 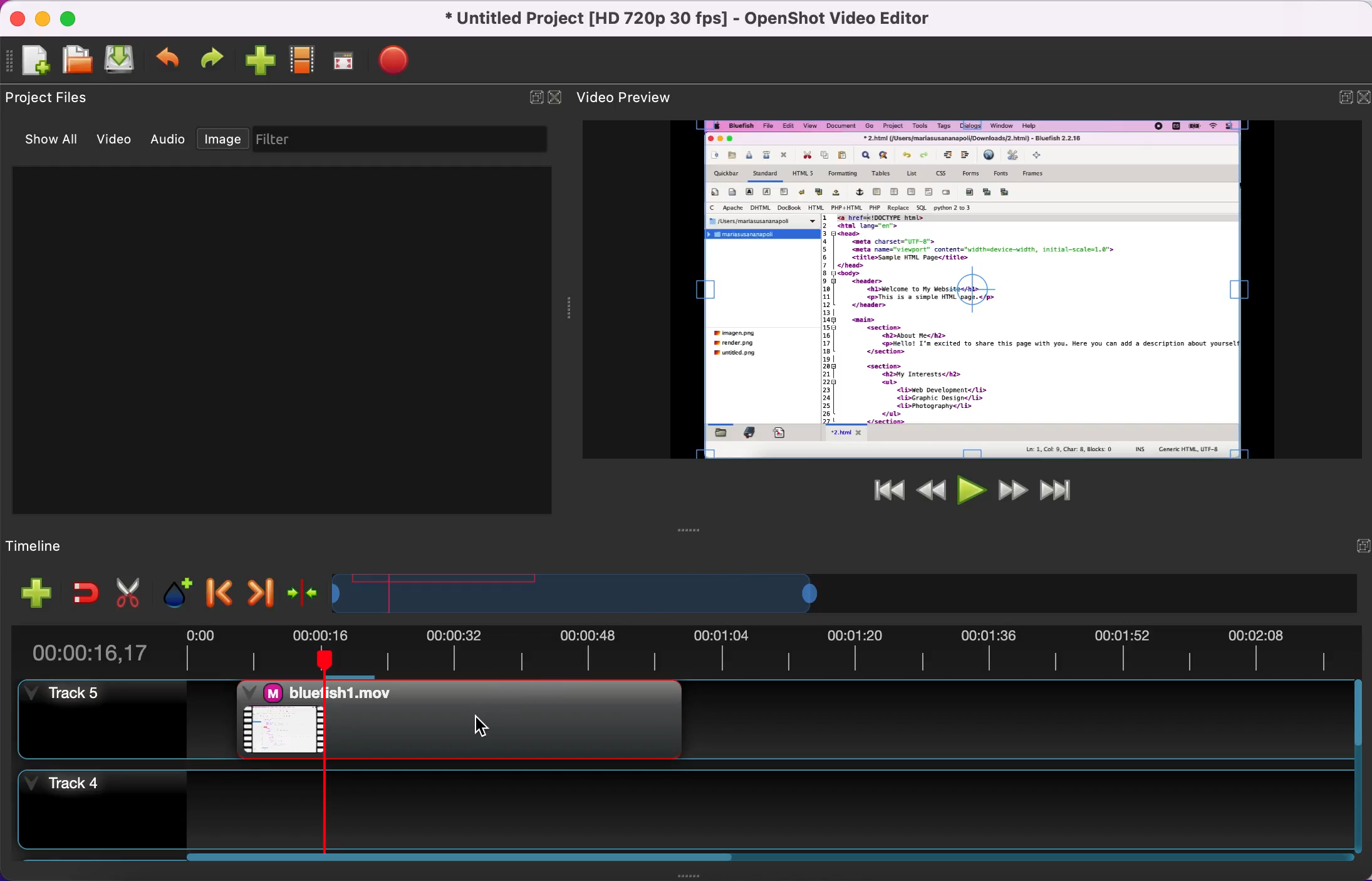 What do you see at coordinates (170, 59) in the screenshot?
I see `undo` at bounding box center [170, 59].